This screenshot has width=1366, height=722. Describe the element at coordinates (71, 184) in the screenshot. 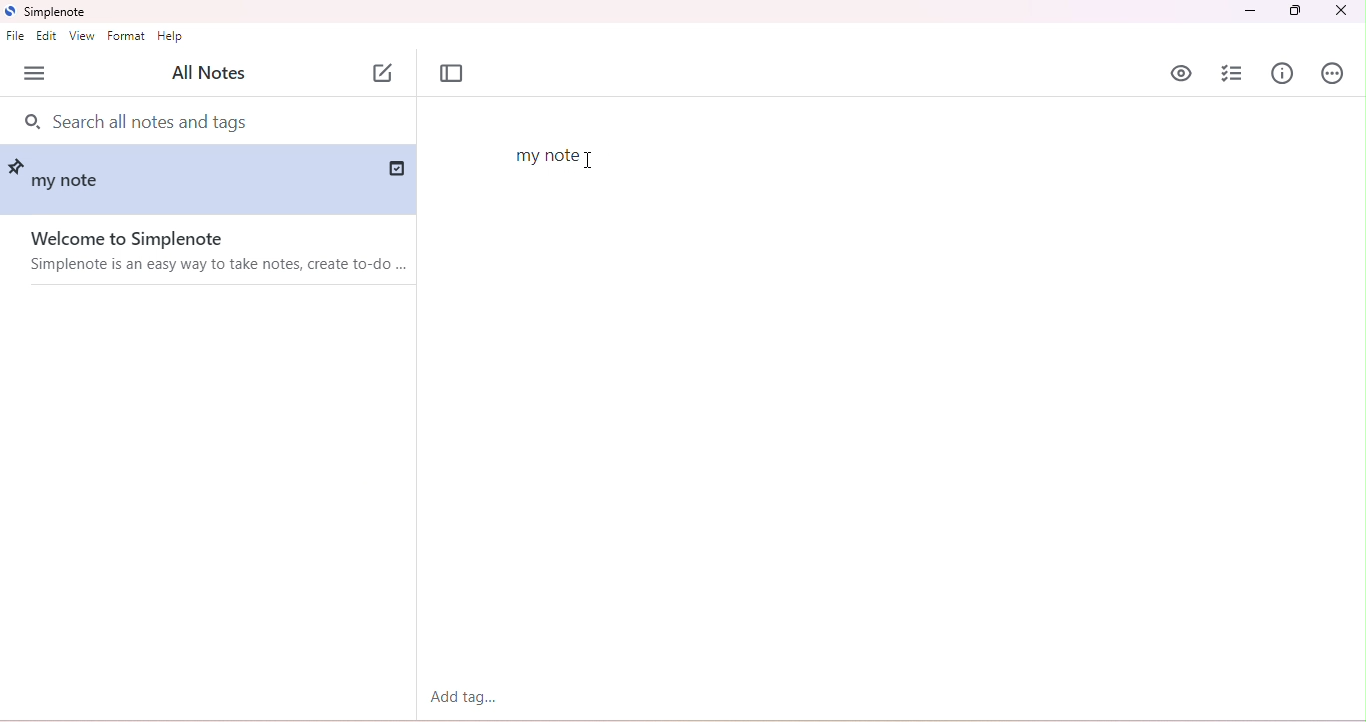

I see `my note` at that location.